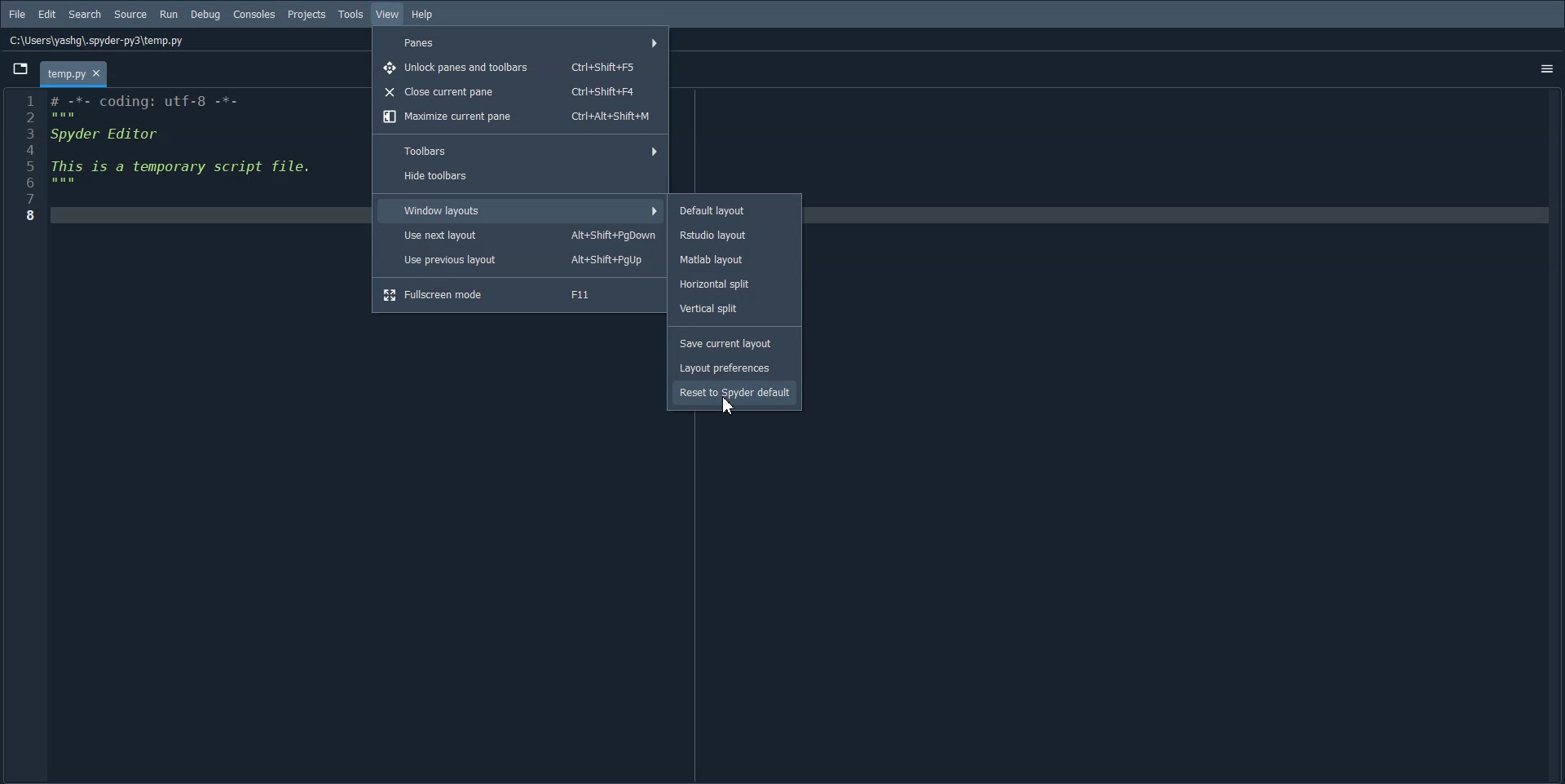  Describe the element at coordinates (521, 260) in the screenshot. I see `Use previous layout` at that location.